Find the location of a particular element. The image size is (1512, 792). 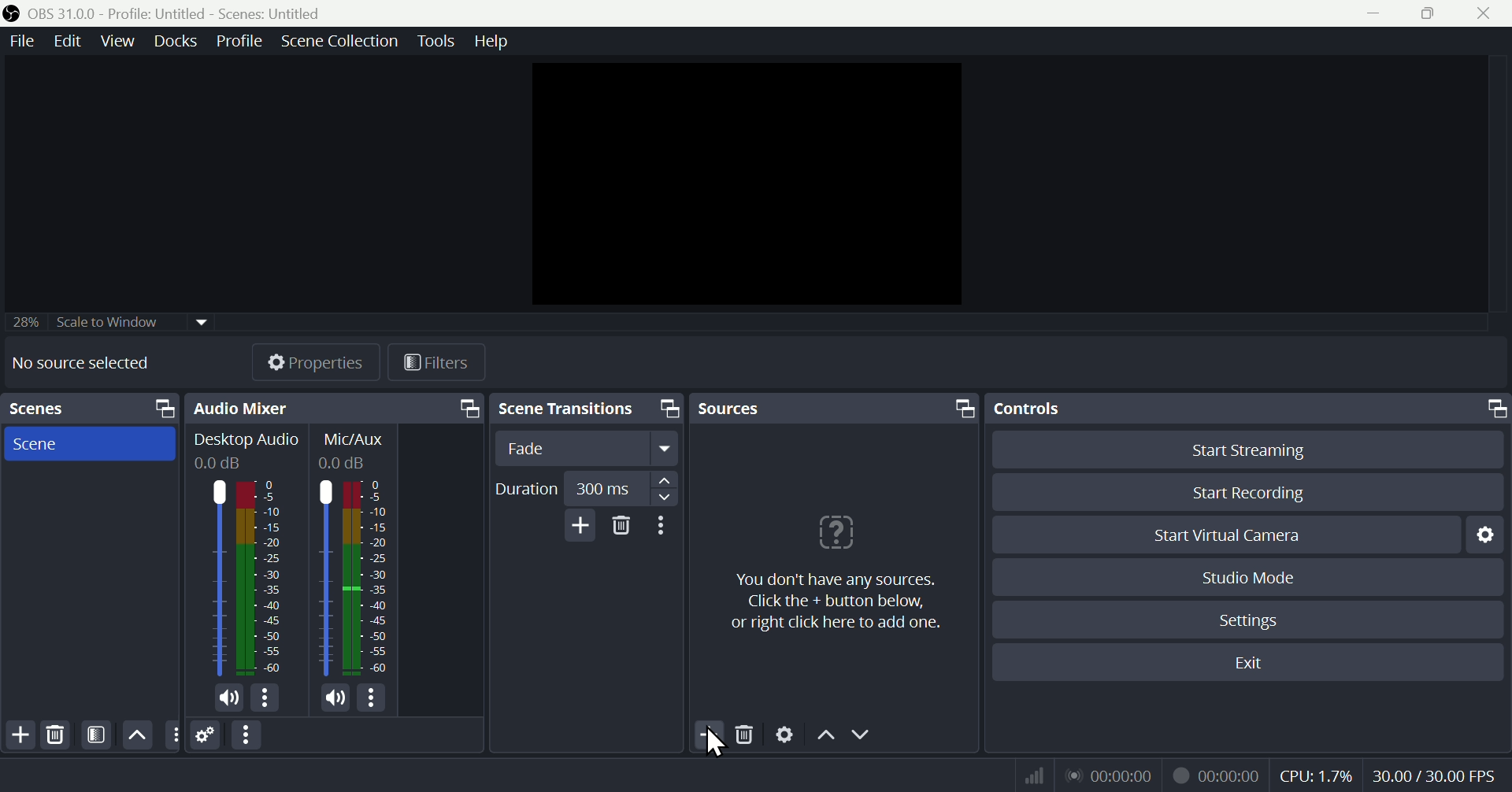

Up is located at coordinates (135, 735).